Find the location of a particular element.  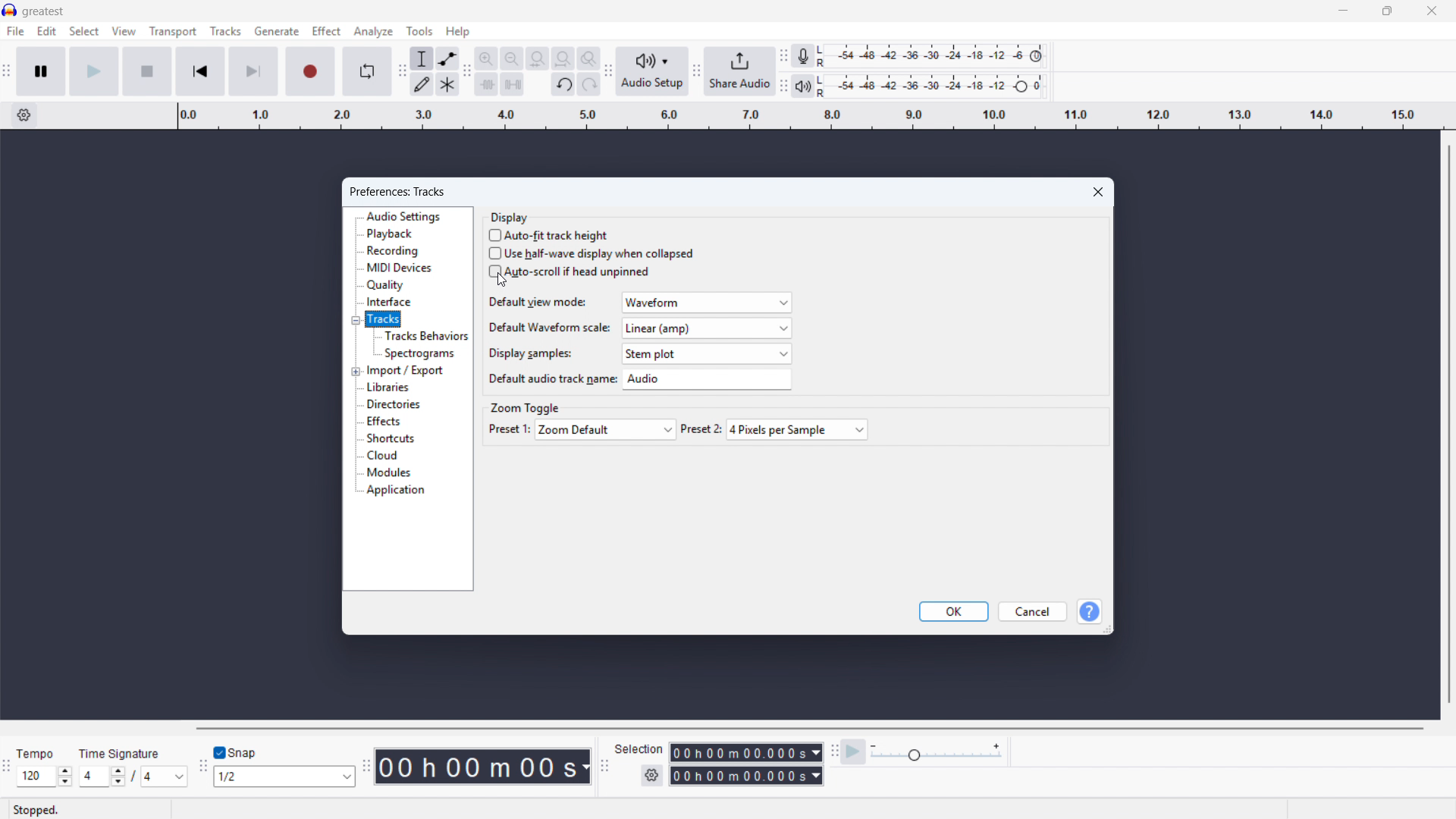

Recording metre  is located at coordinates (802, 55).